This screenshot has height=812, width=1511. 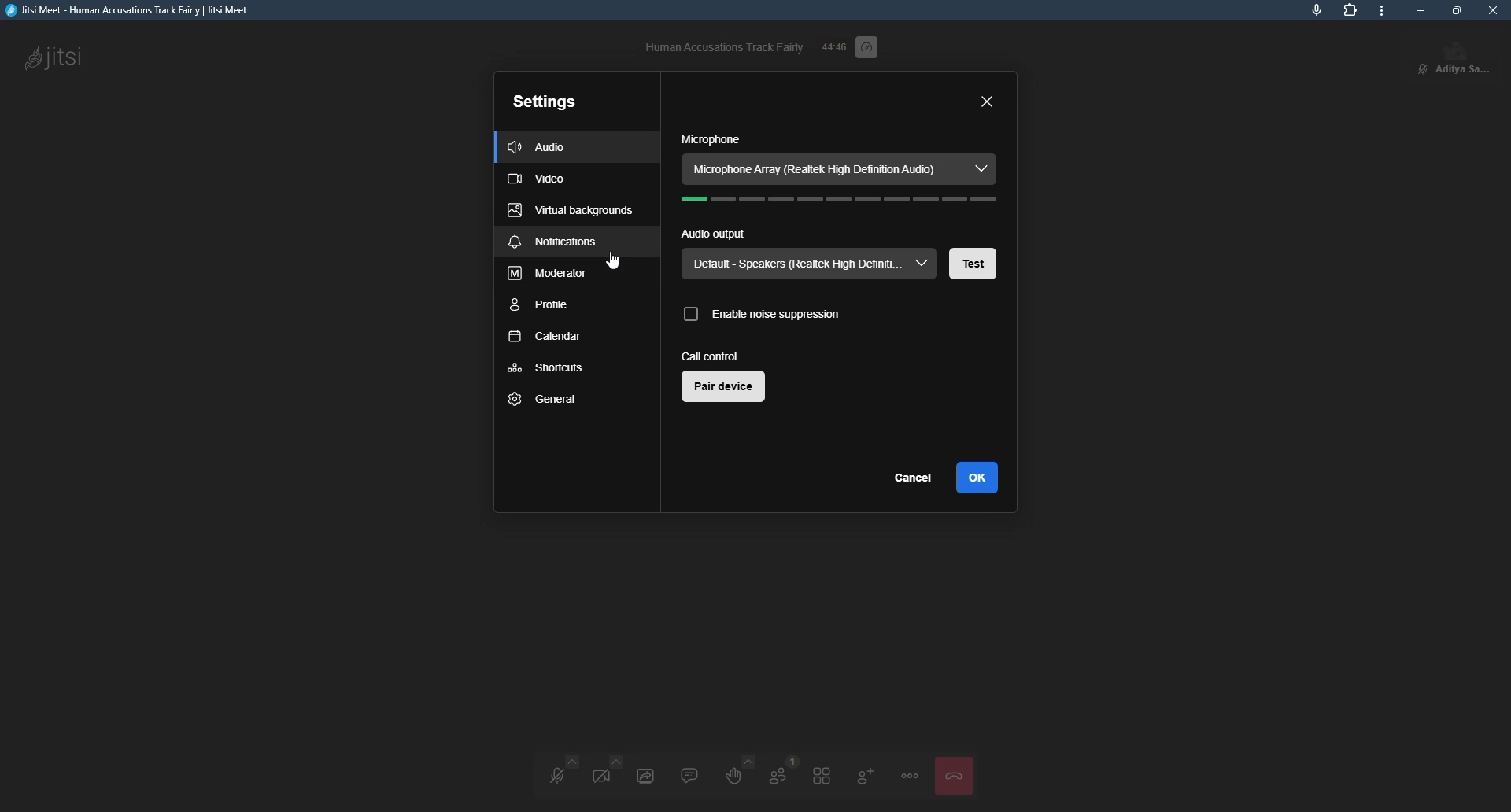 I want to click on drop down, so click(x=981, y=166).